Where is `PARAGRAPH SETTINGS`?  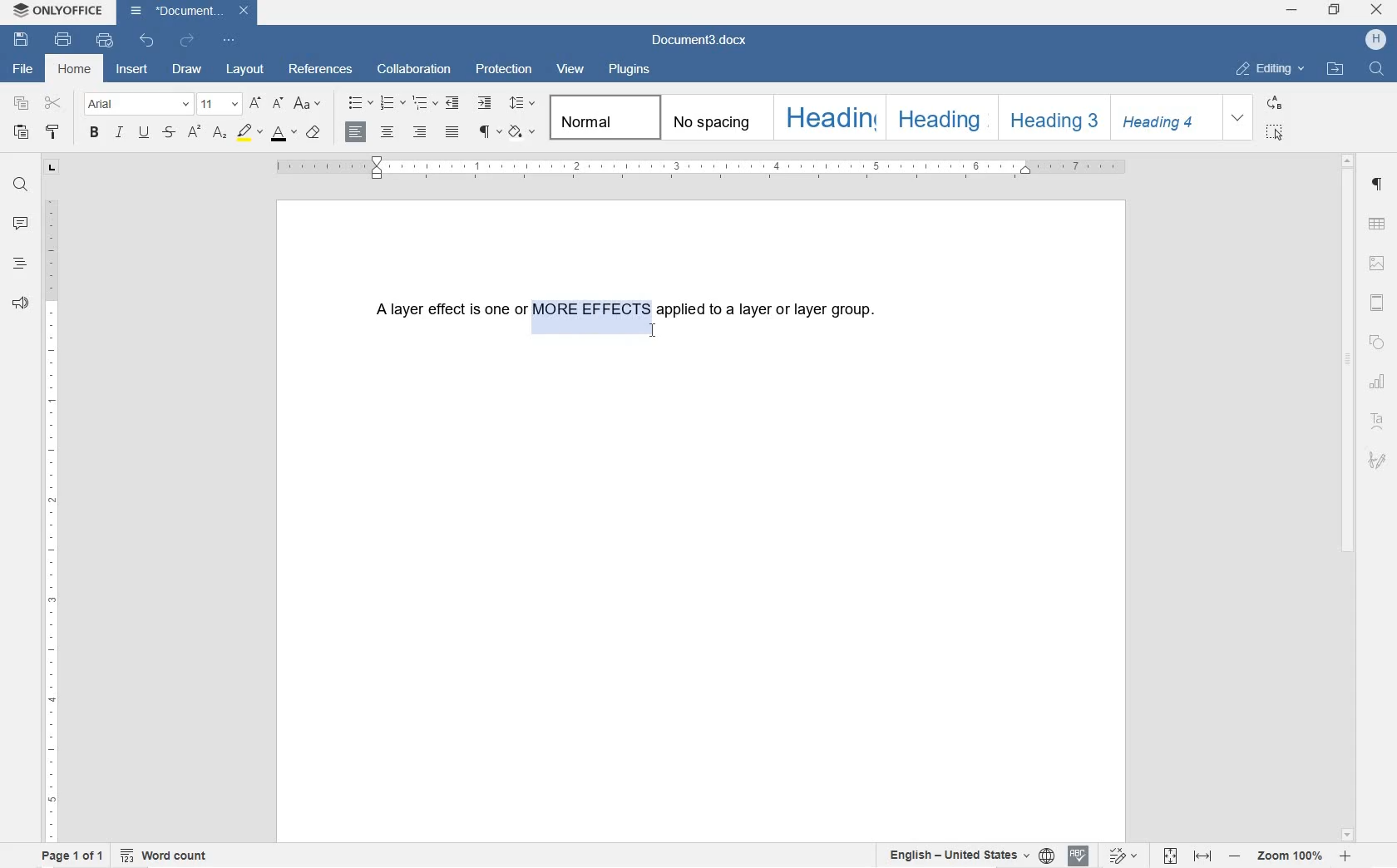 PARAGRAPH SETTINGS is located at coordinates (1378, 188).